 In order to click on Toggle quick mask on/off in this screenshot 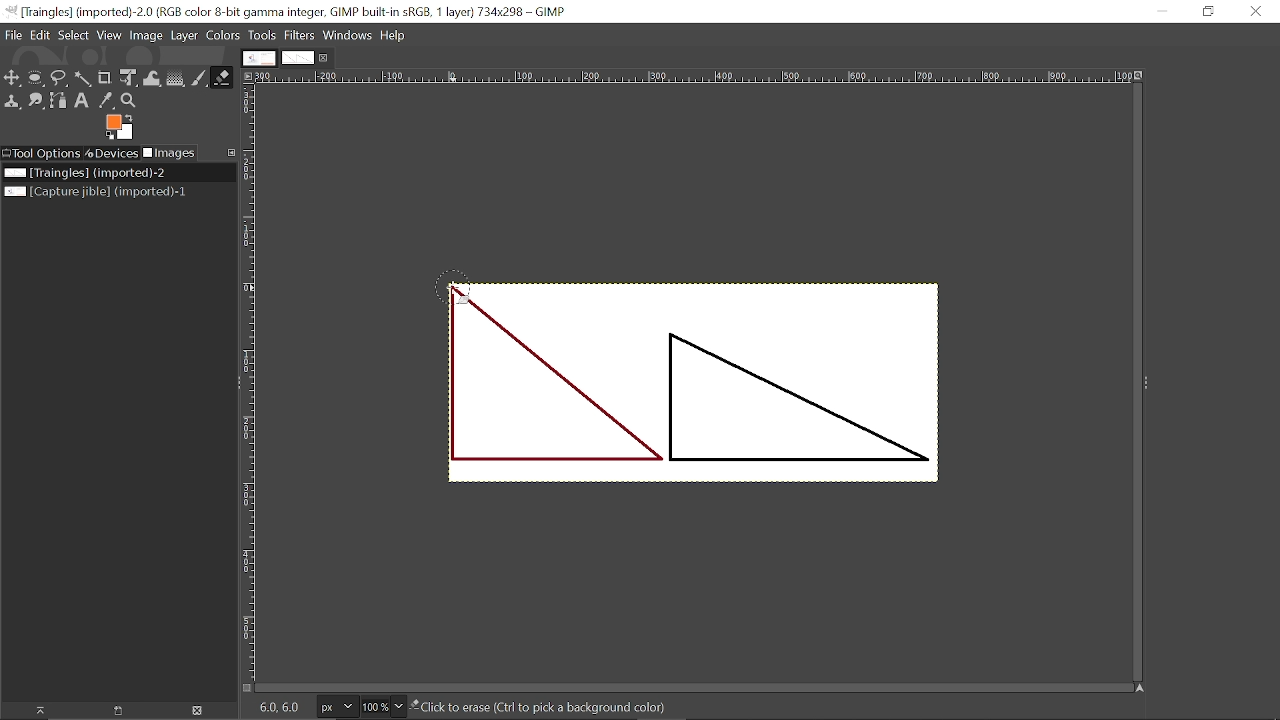, I will do `click(247, 688)`.